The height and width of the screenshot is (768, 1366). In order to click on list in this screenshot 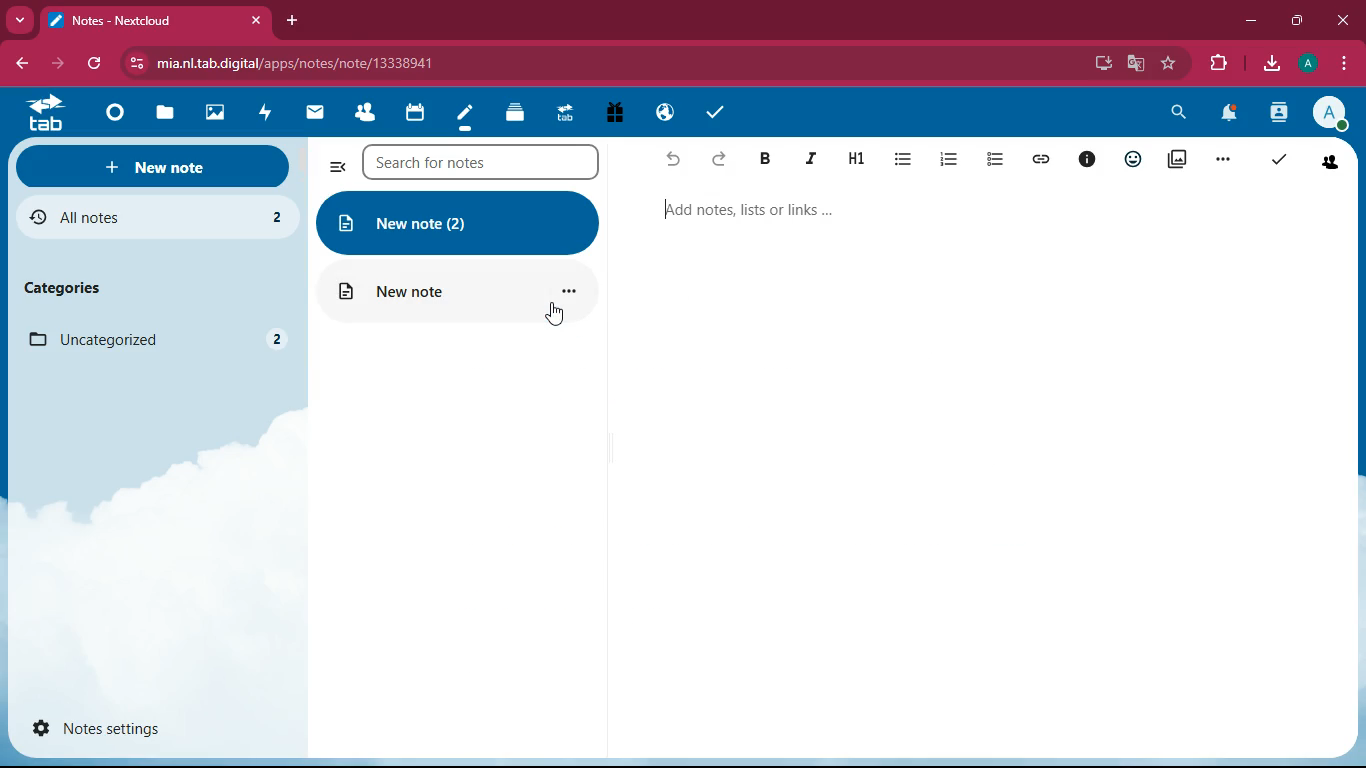, I will do `click(952, 160)`.